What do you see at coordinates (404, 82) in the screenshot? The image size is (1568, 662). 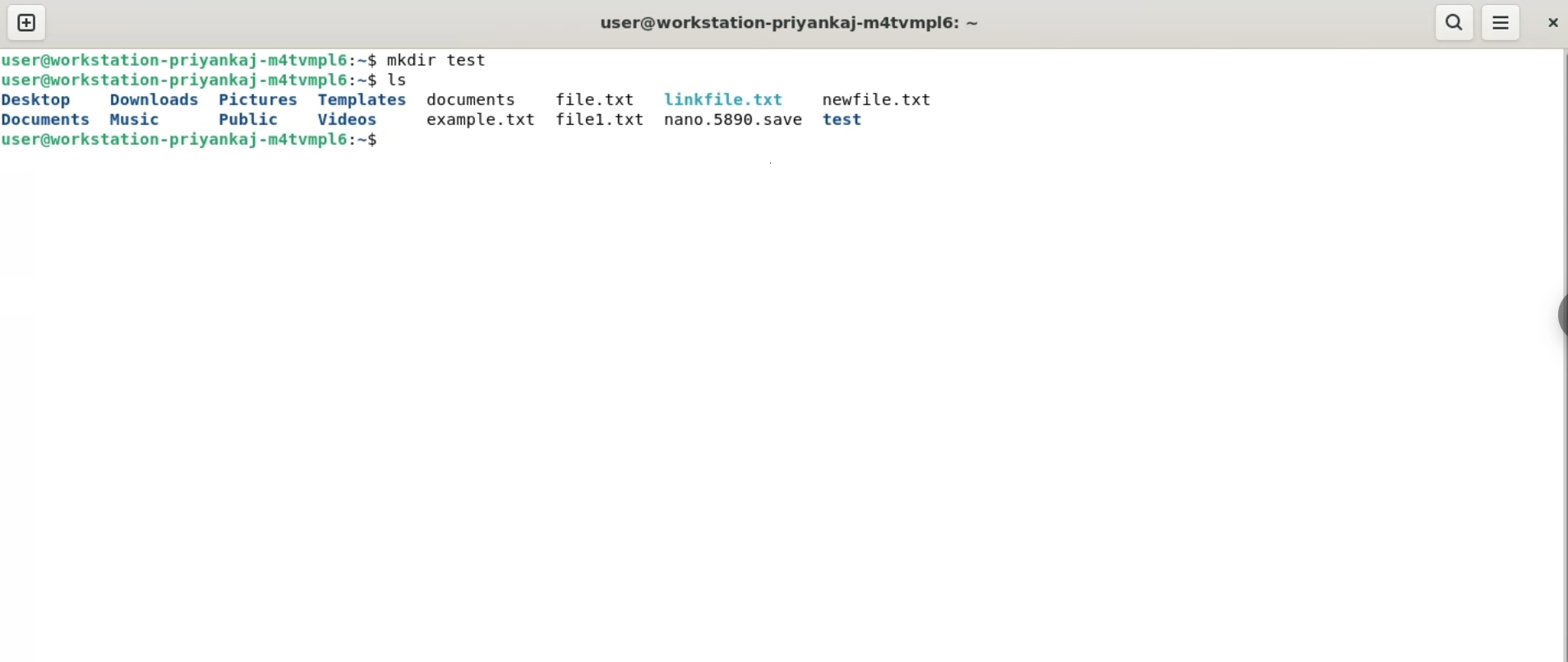 I see `ls` at bounding box center [404, 82].